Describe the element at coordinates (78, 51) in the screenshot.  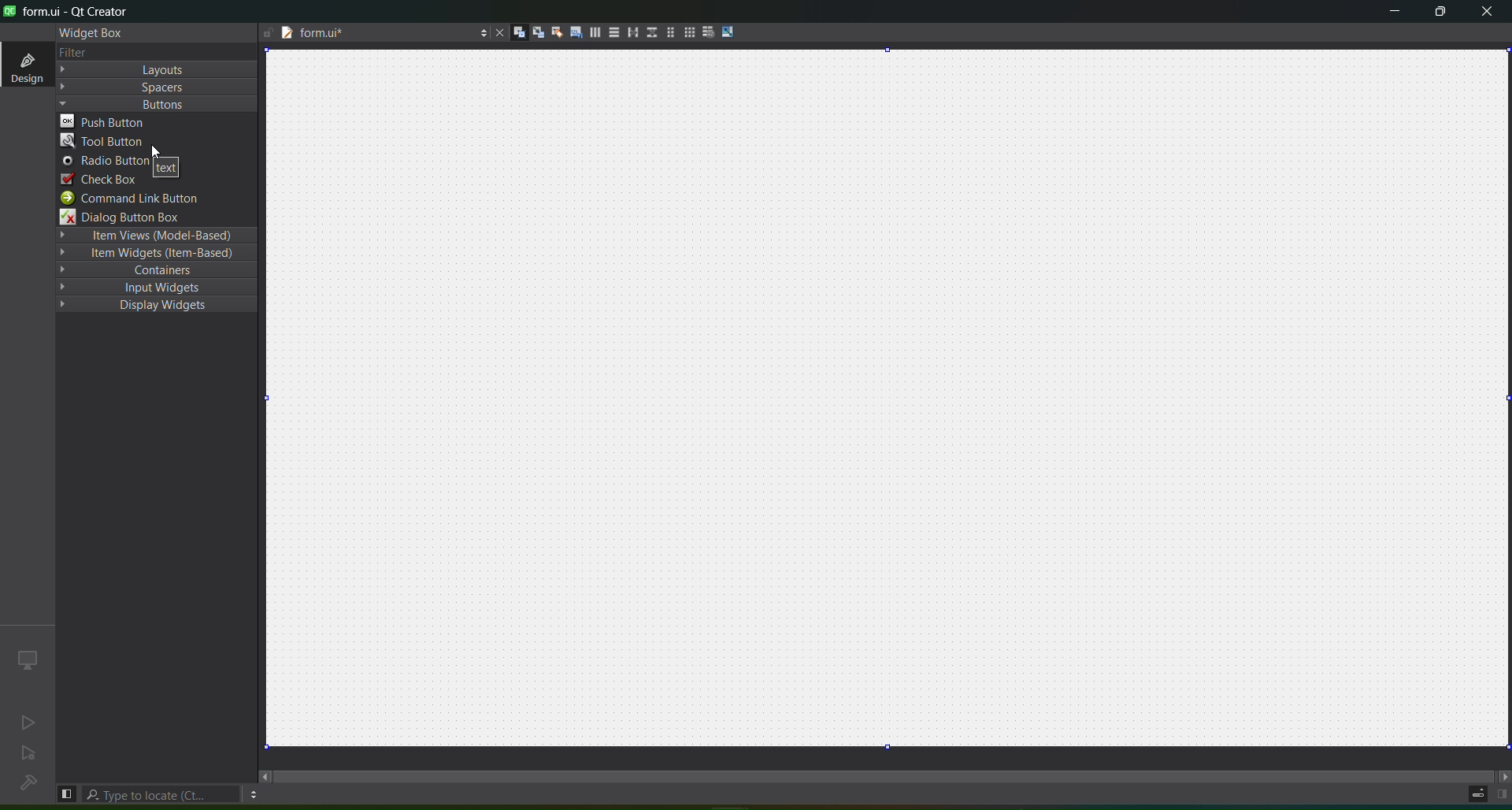
I see `text` at that location.